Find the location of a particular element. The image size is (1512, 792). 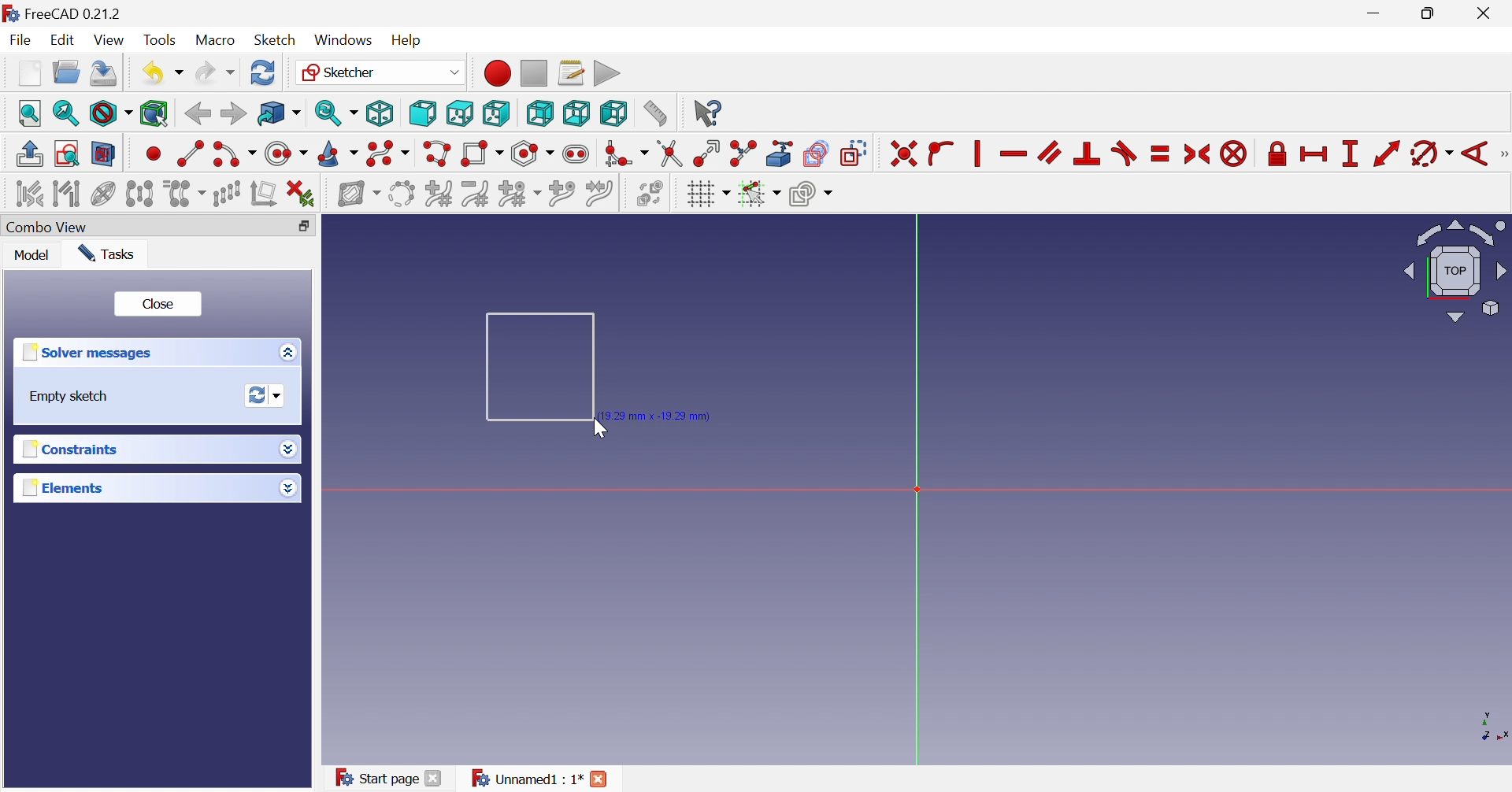

Rear is located at coordinates (539, 113).